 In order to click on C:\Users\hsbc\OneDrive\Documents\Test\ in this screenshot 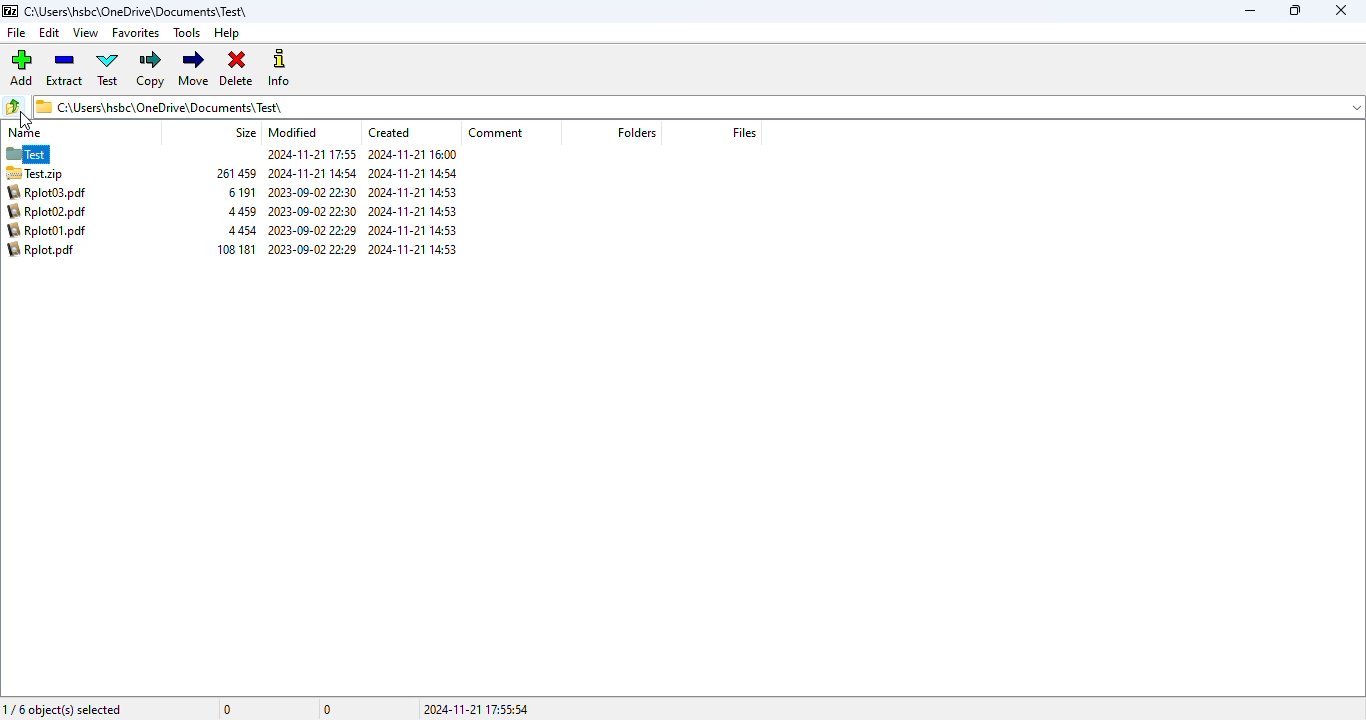, I will do `click(158, 106)`.